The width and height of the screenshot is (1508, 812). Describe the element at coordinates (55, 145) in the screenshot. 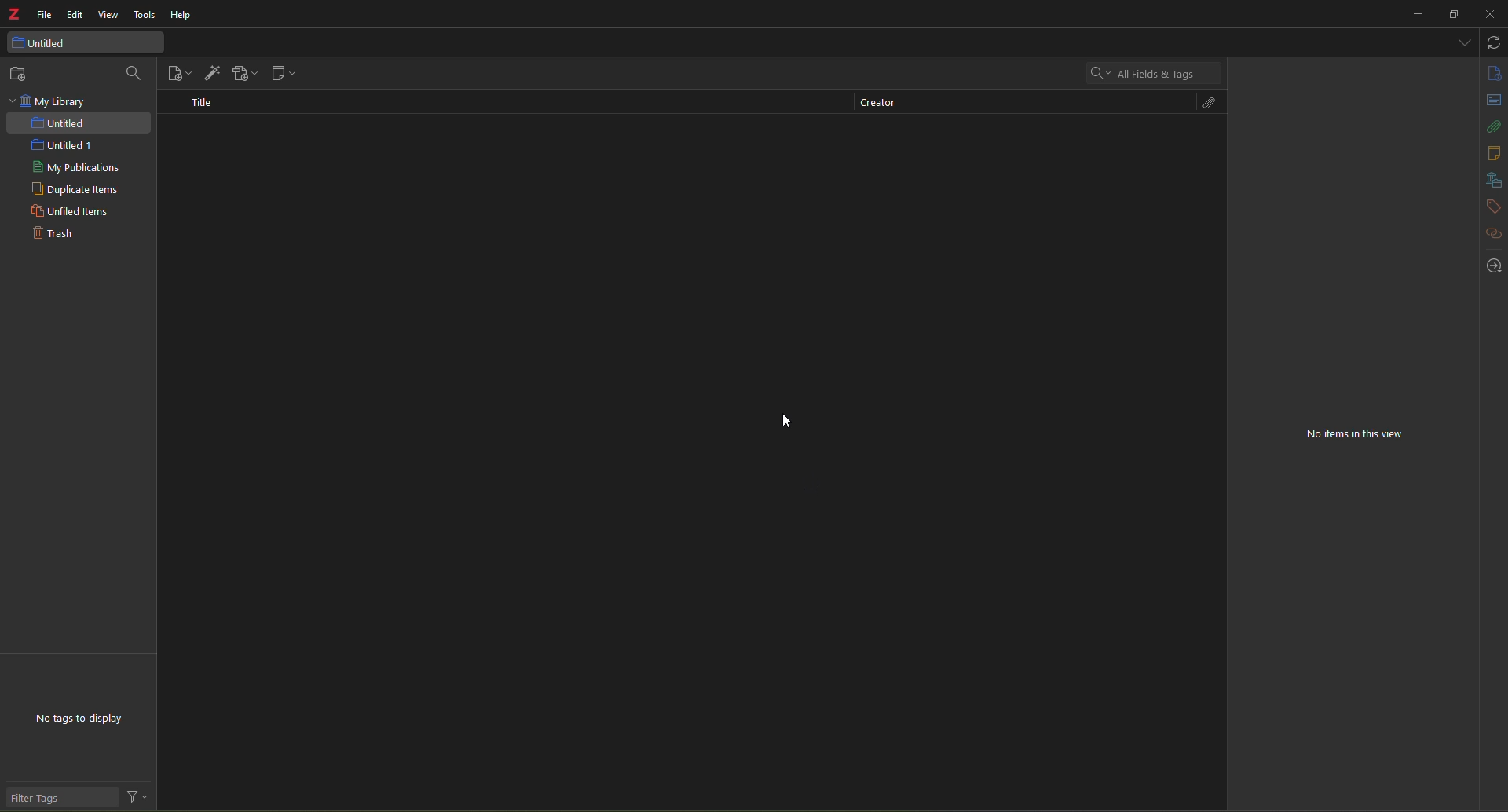

I see `untitled 1` at that location.